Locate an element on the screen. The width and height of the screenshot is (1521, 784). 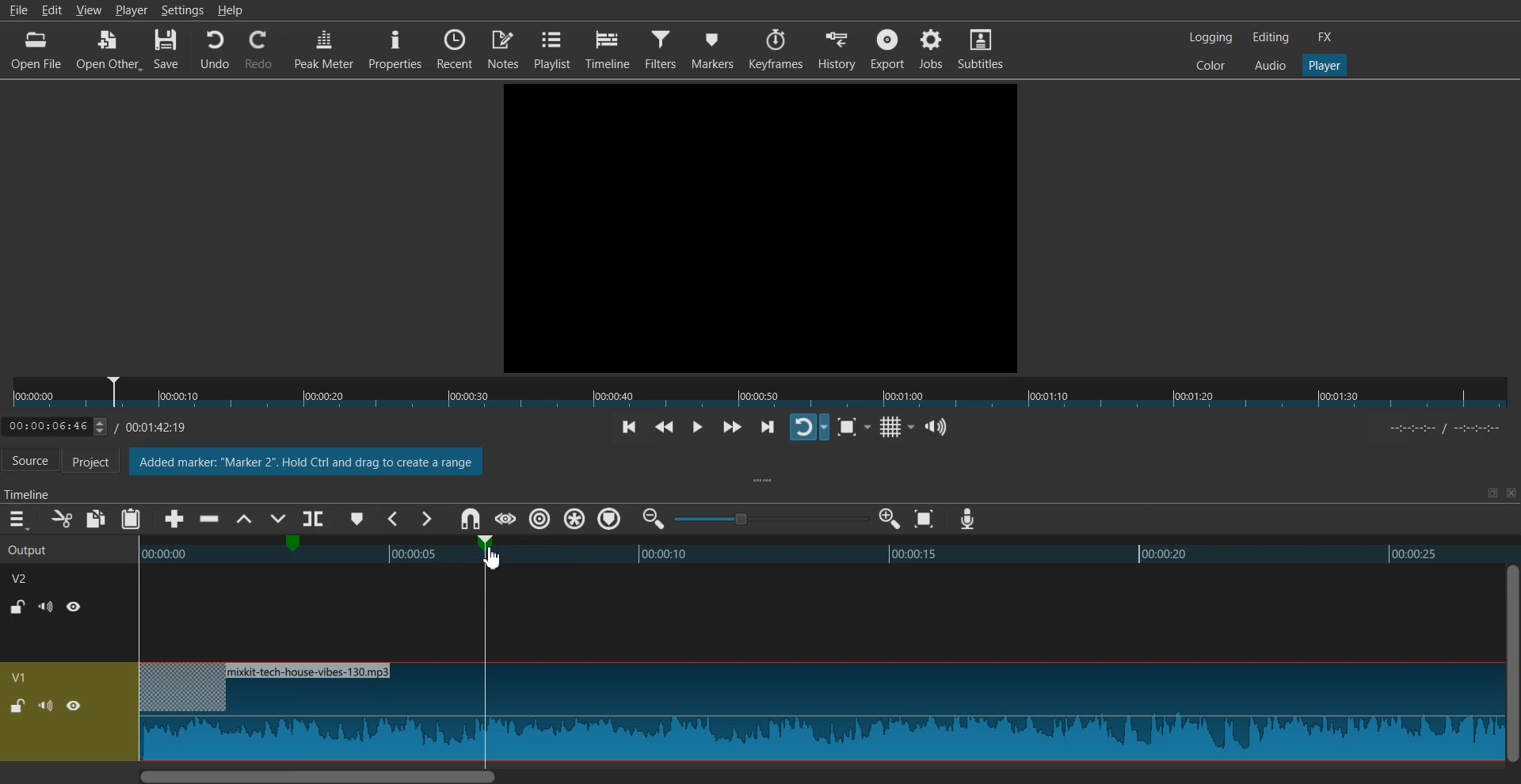
Play quickly backwards is located at coordinates (665, 428).